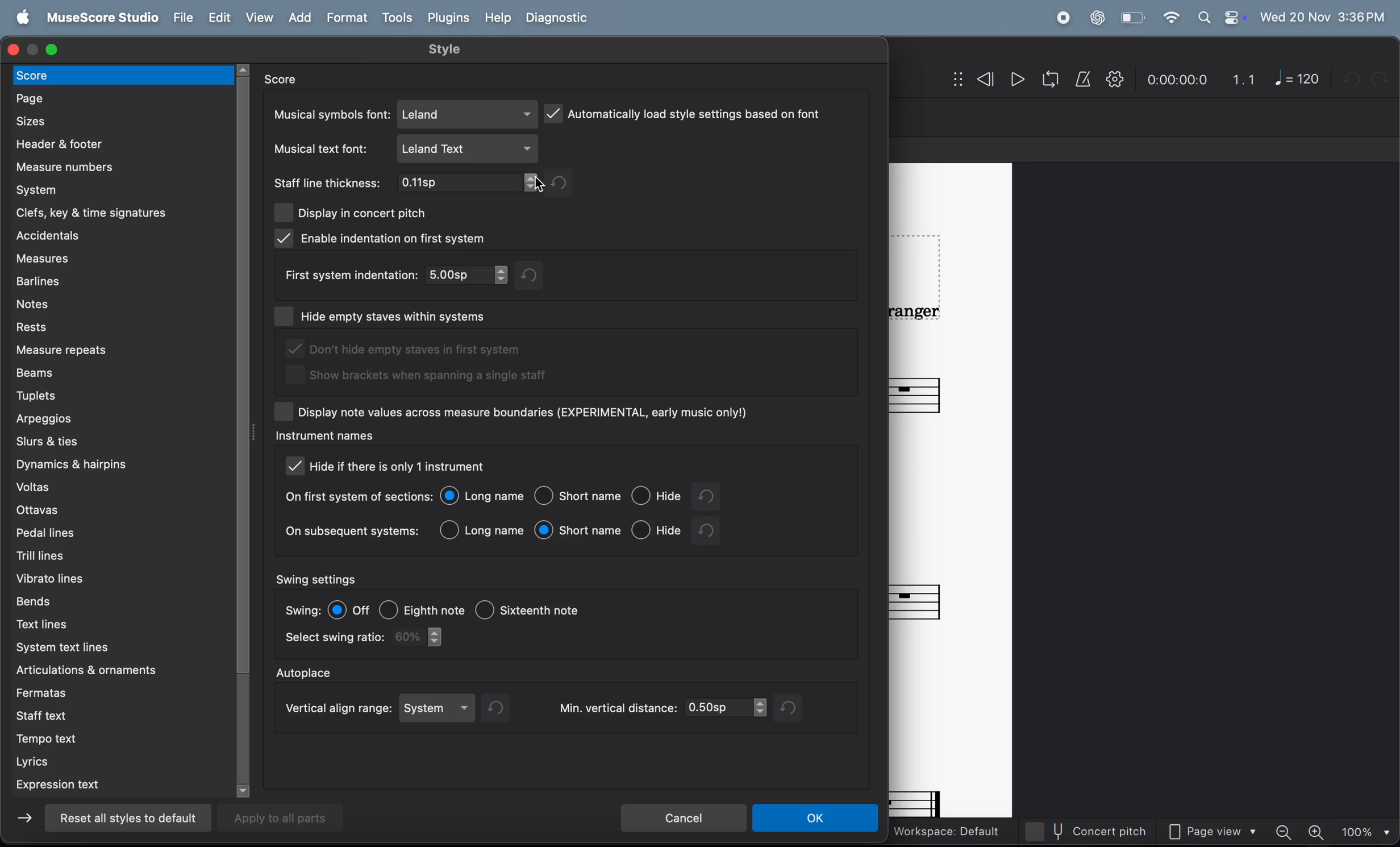 The width and height of the screenshot is (1400, 847). What do you see at coordinates (414, 350) in the screenshot?
I see `dont hide empty staves per system` at bounding box center [414, 350].